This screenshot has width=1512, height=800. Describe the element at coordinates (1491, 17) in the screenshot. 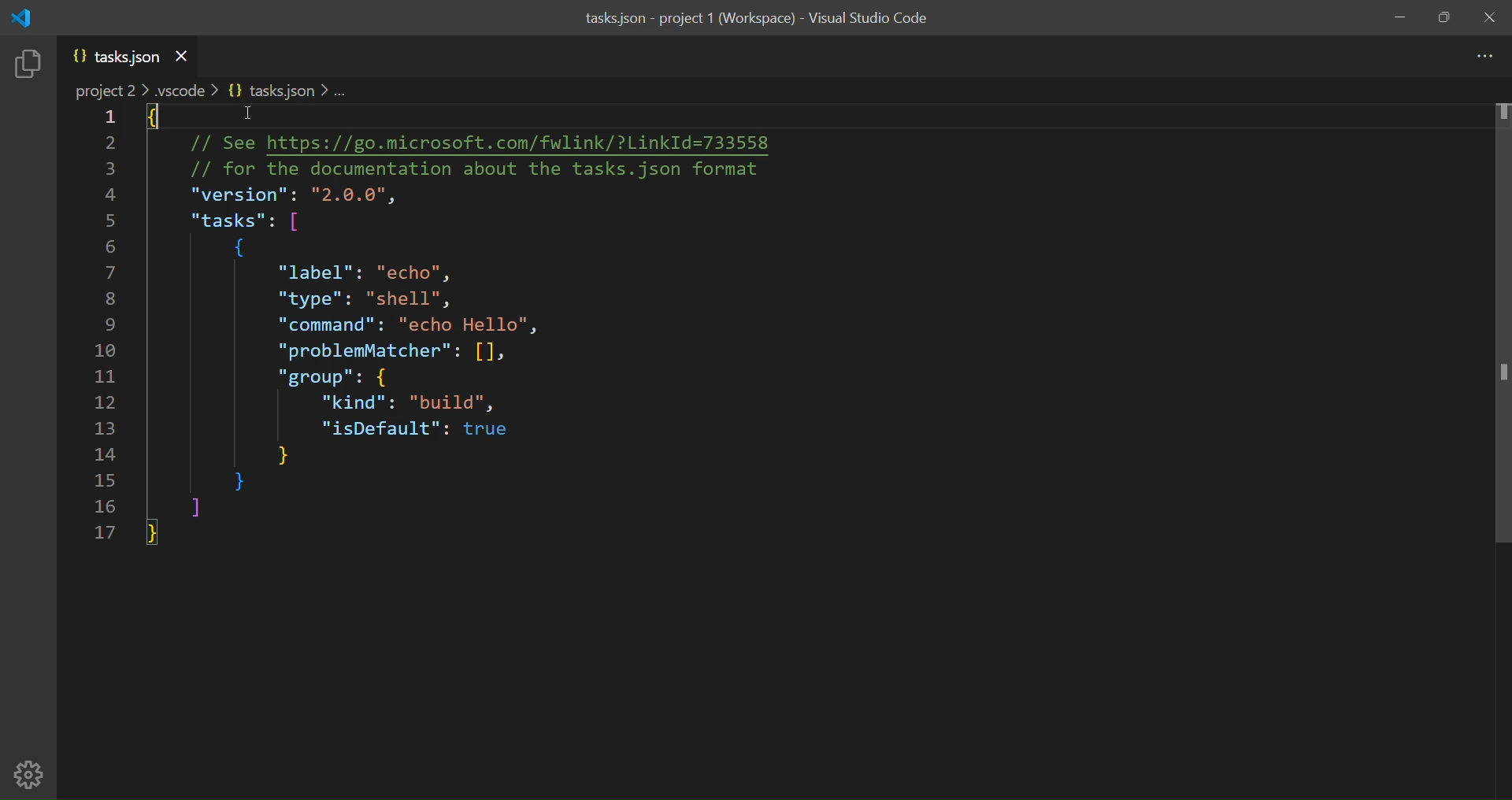

I see `close` at that location.